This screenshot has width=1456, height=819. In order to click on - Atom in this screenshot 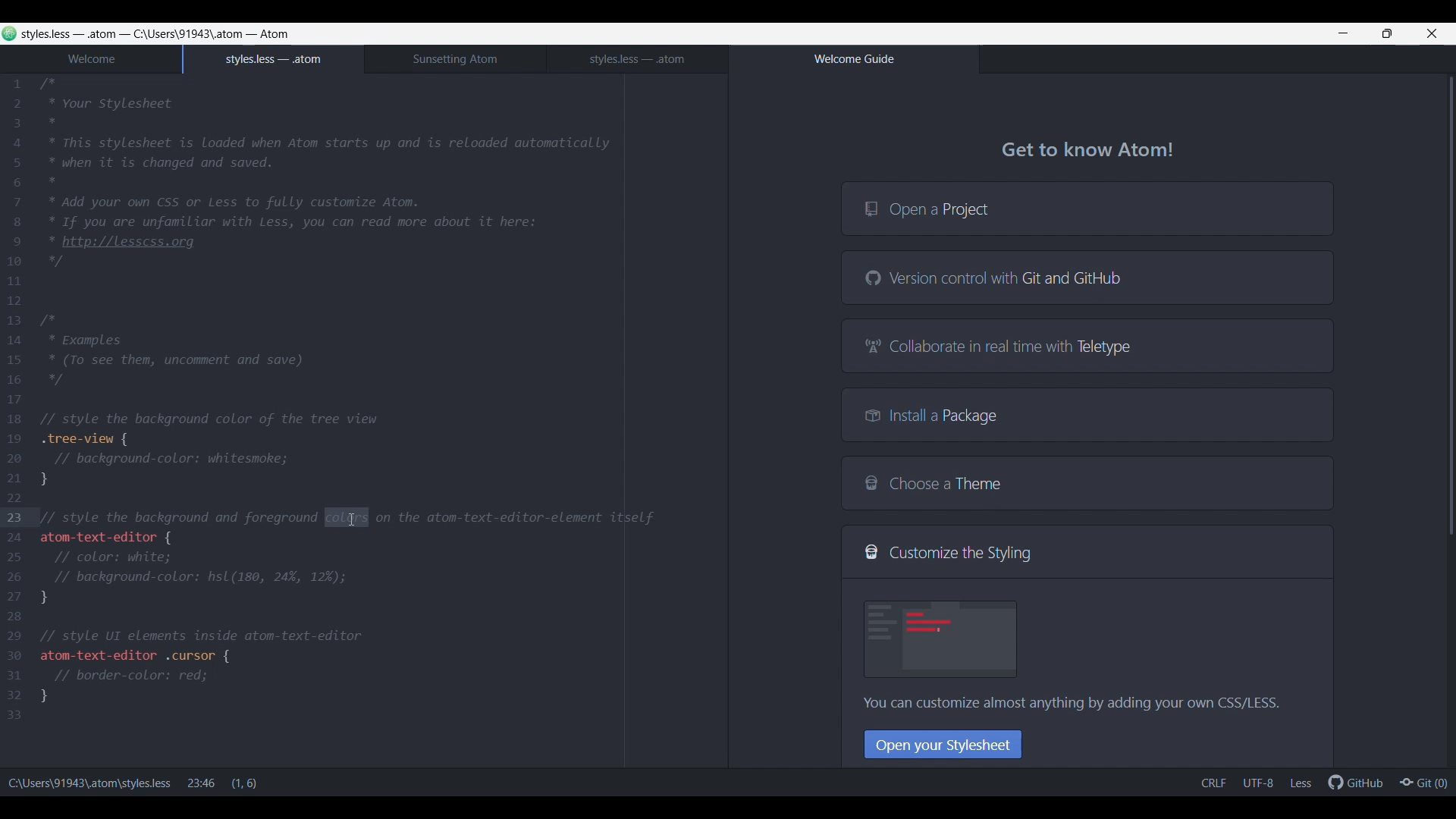, I will do `click(267, 33)`.